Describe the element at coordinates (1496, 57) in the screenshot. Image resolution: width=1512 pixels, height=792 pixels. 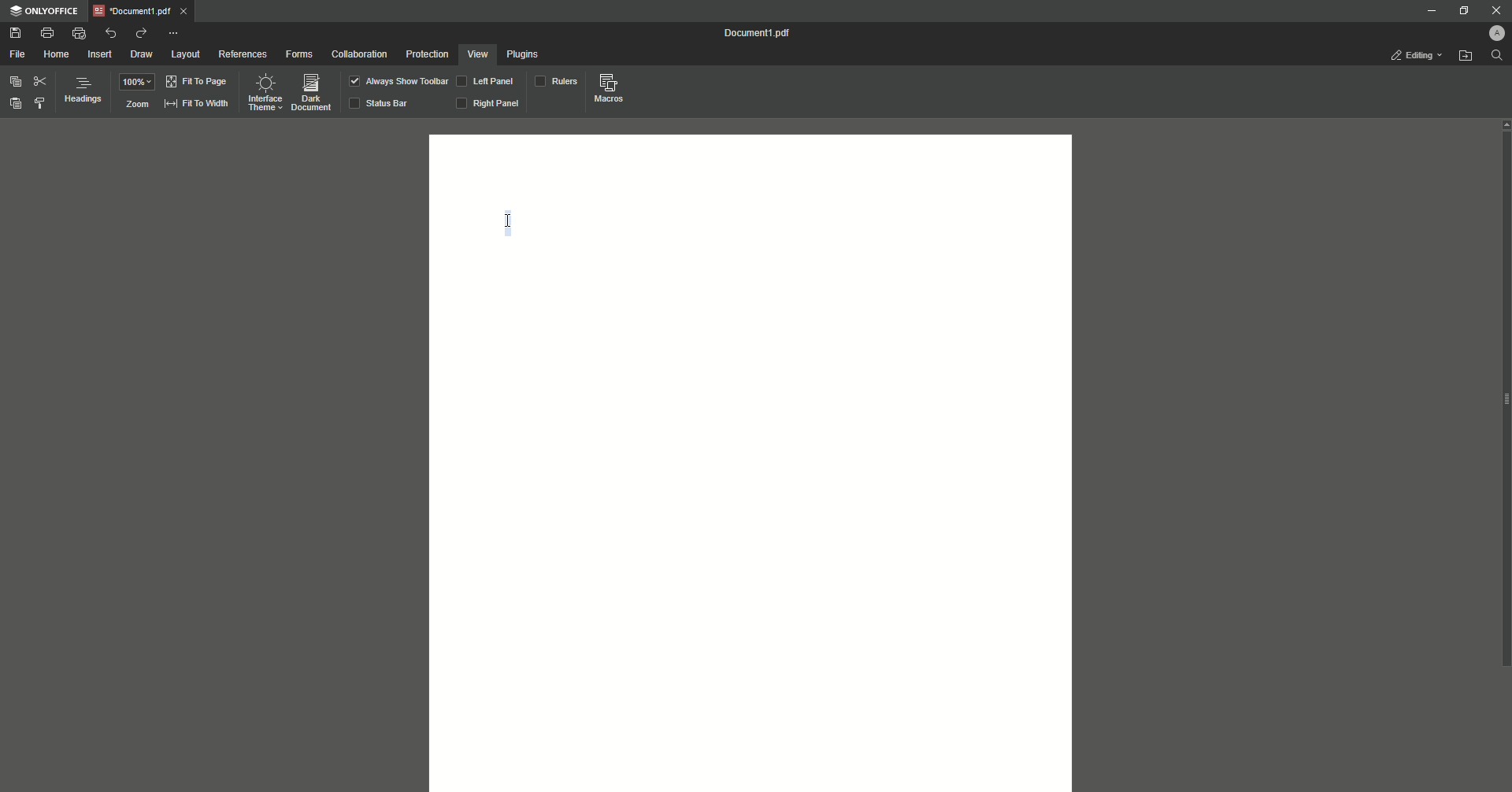
I see `Find` at that location.